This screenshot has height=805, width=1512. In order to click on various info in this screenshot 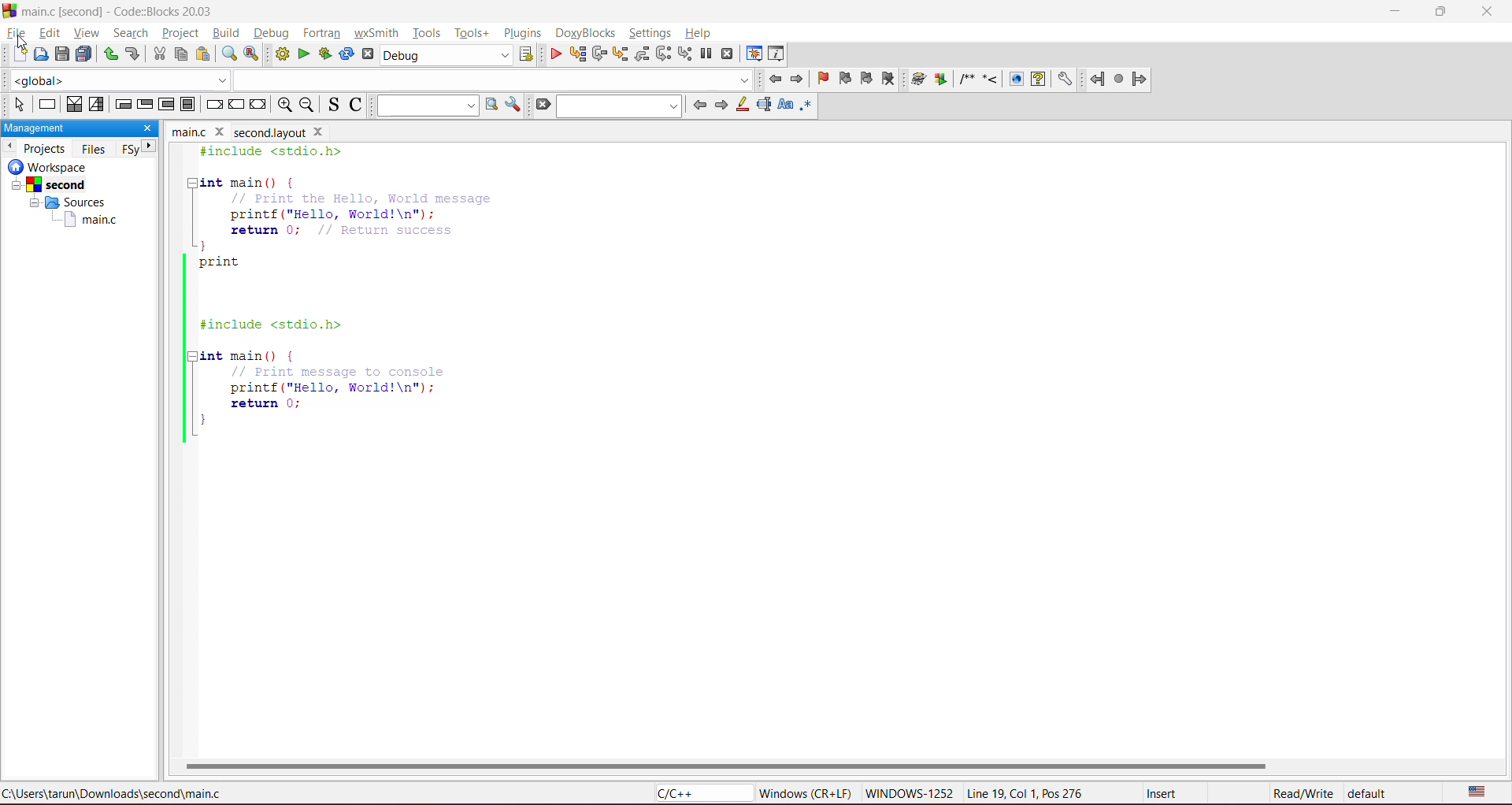, I will do `click(774, 54)`.